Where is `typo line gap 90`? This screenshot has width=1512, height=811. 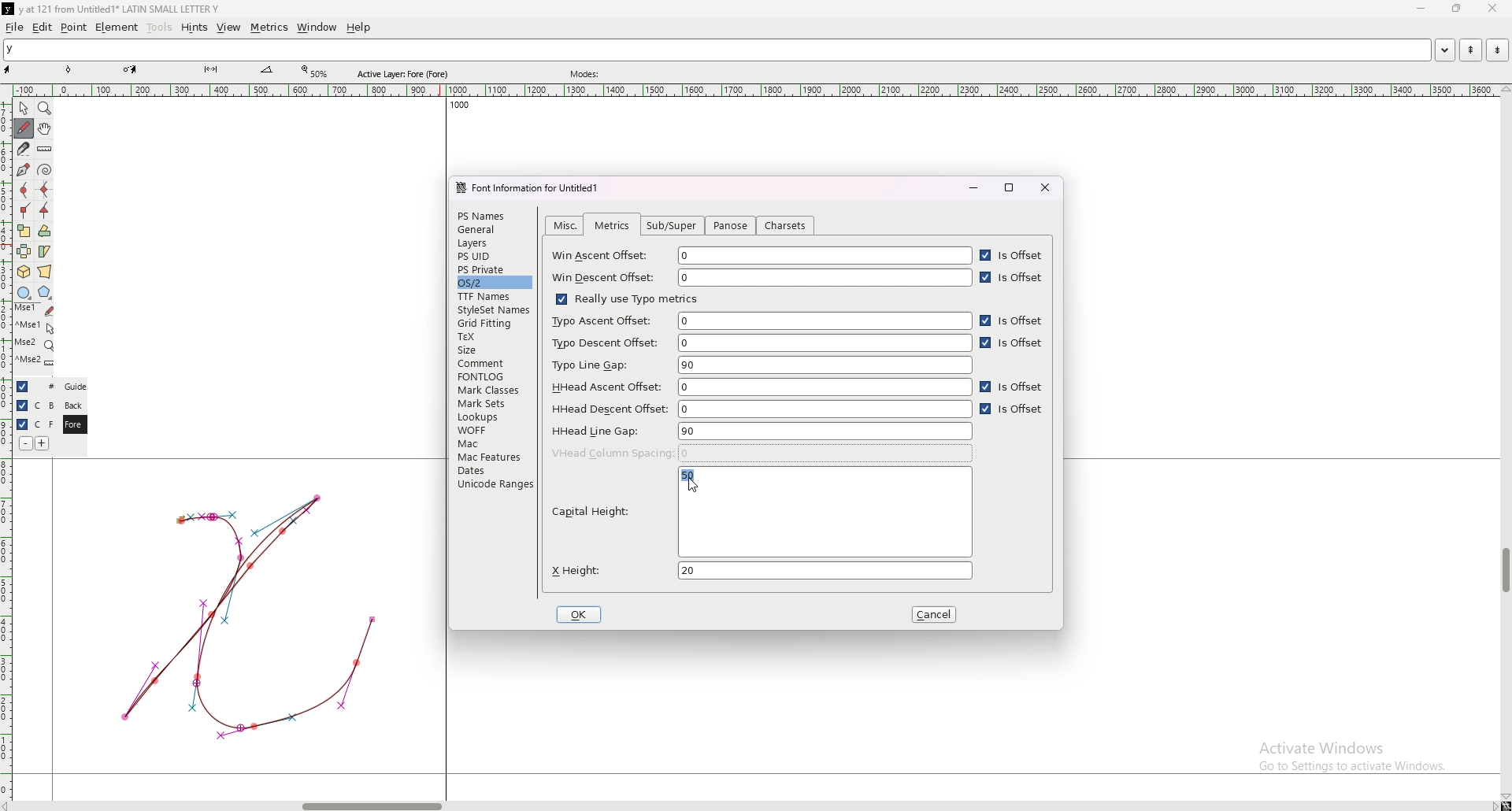 typo line gap 90 is located at coordinates (762, 365).